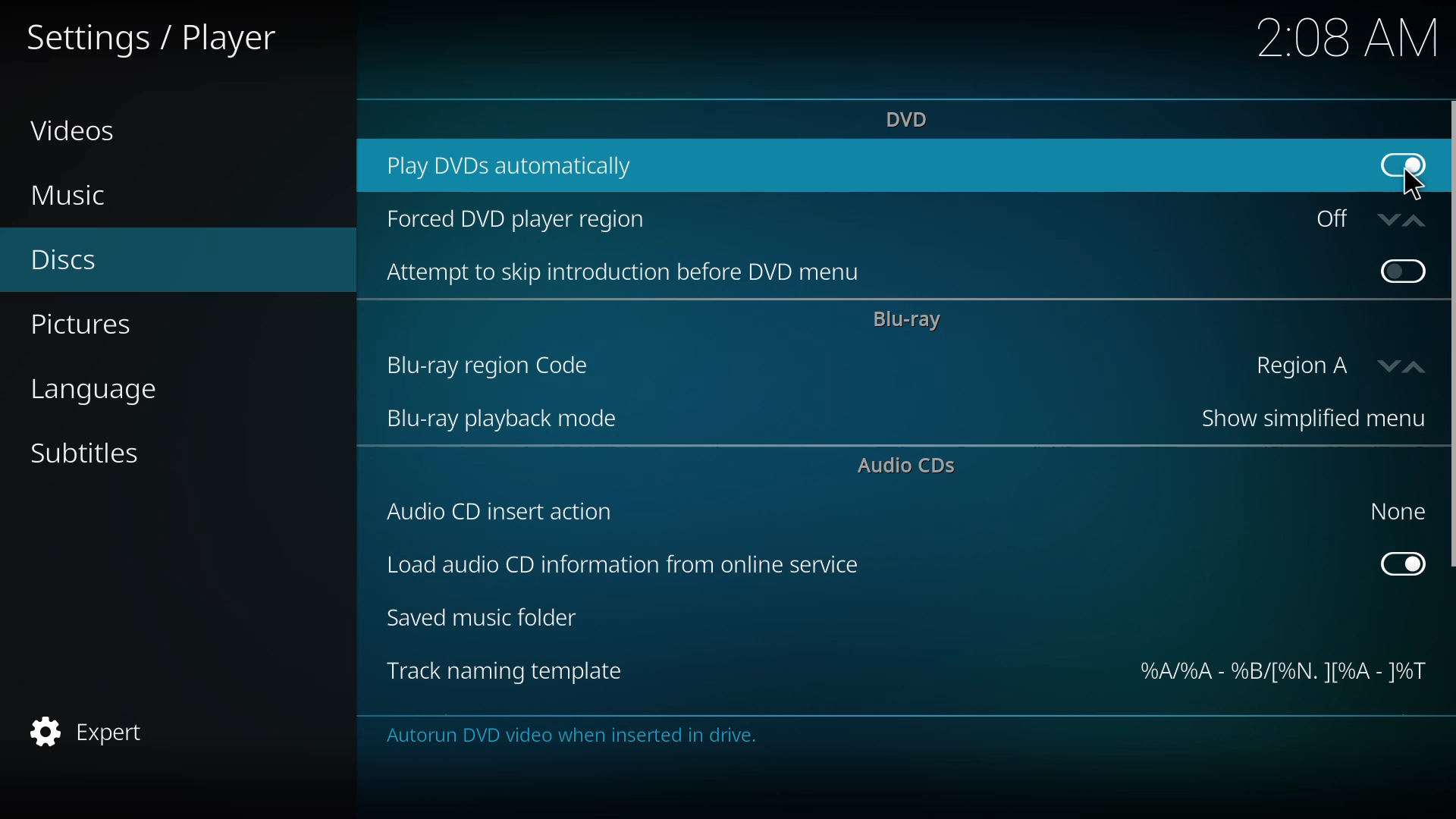  Describe the element at coordinates (87, 326) in the screenshot. I see `pictures` at that location.